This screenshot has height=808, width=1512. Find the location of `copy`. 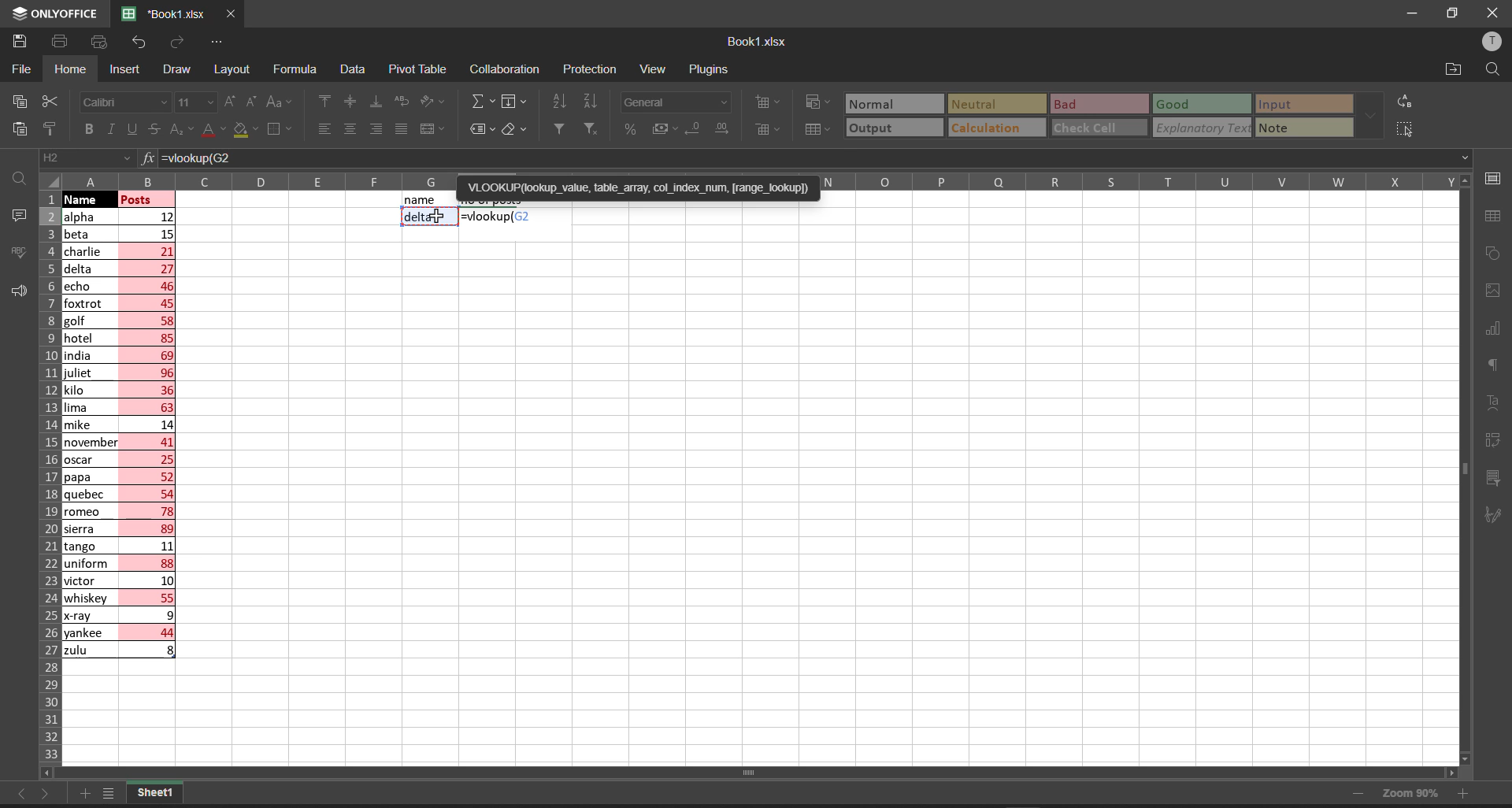

copy is located at coordinates (16, 101).